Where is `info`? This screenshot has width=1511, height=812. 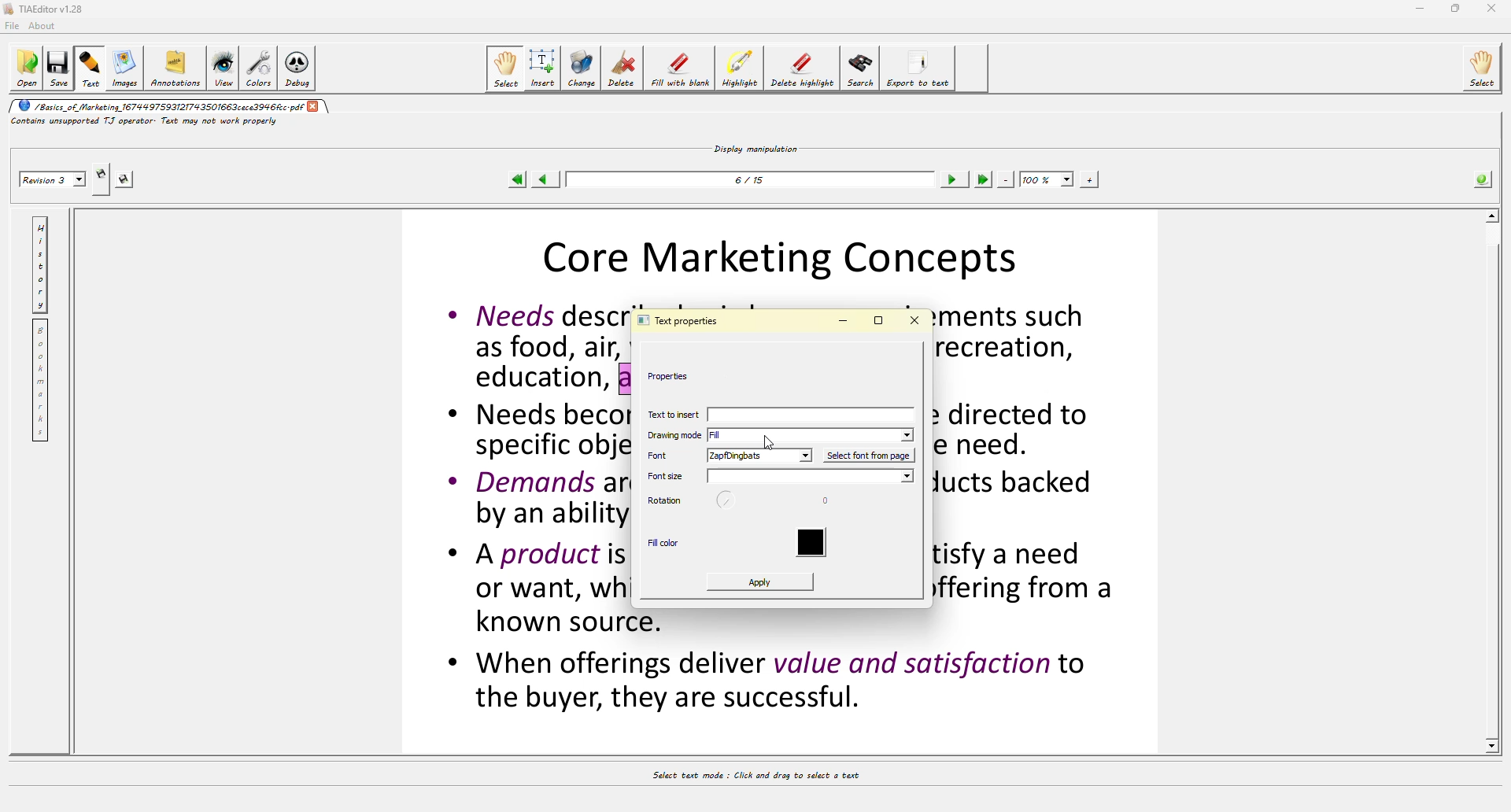 info is located at coordinates (1483, 180).